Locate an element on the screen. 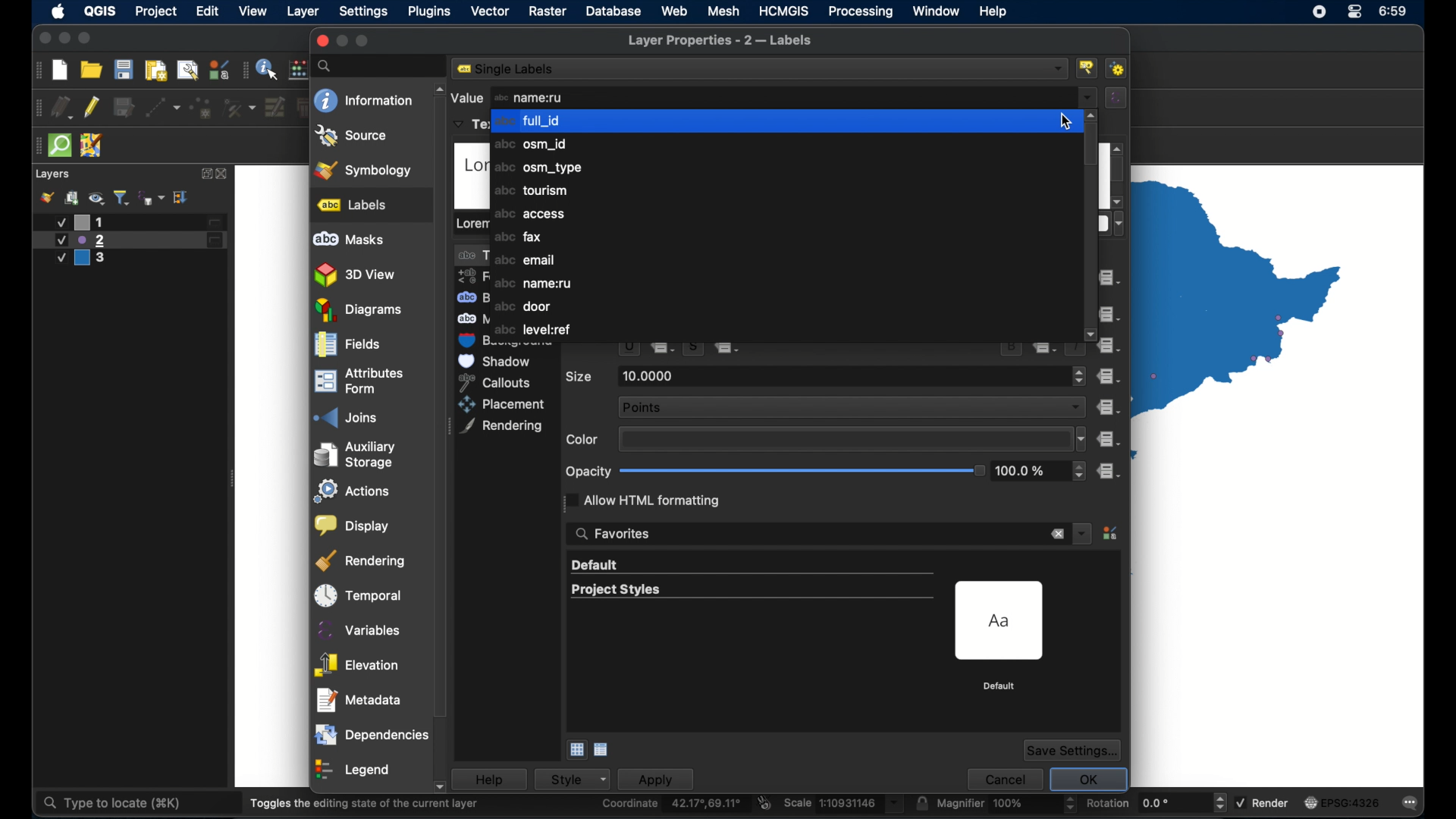 Image resolution: width=1456 pixels, height=819 pixels. layer 1 is located at coordinates (136, 222).